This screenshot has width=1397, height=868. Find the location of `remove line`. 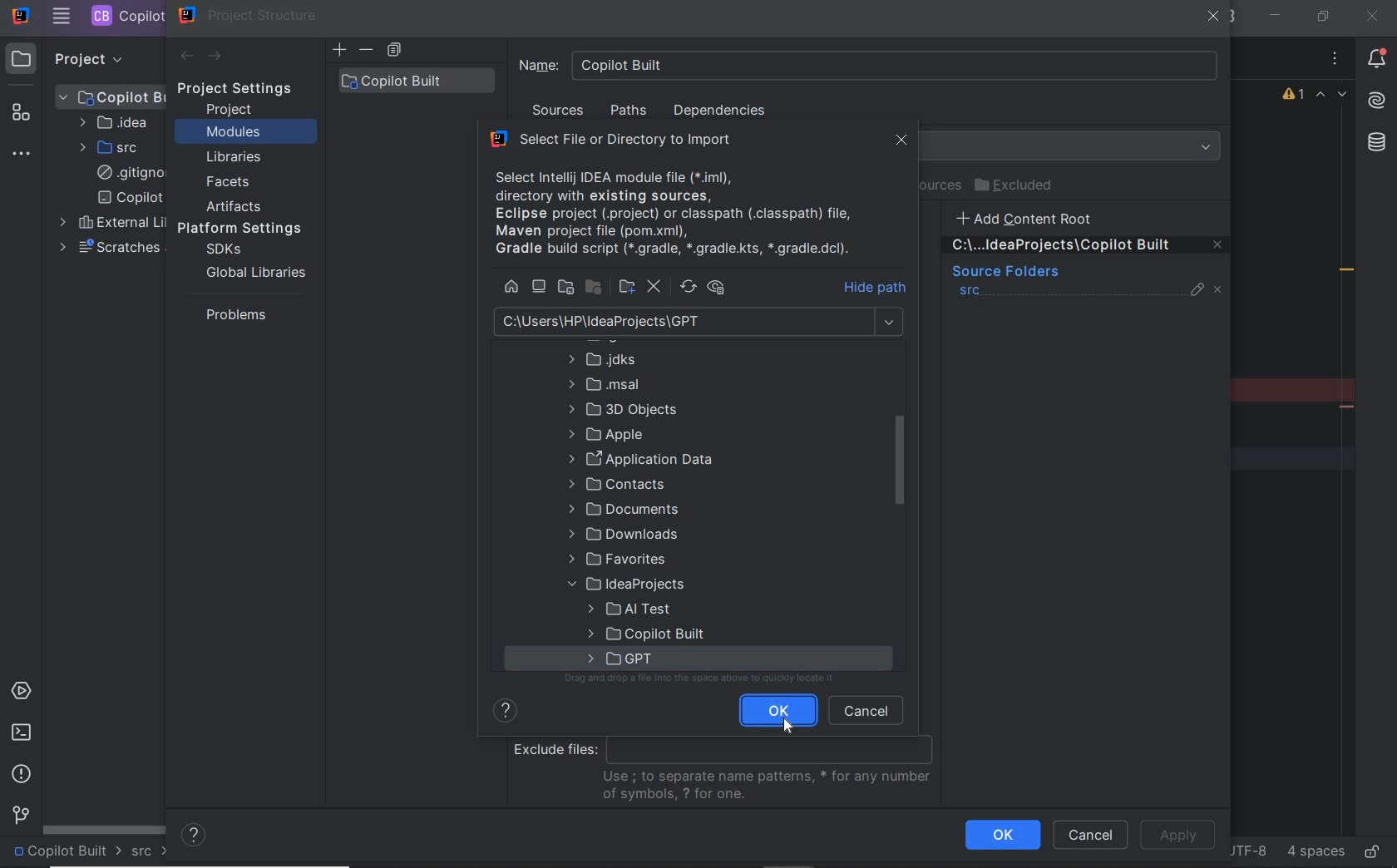

remove line is located at coordinates (1349, 407).